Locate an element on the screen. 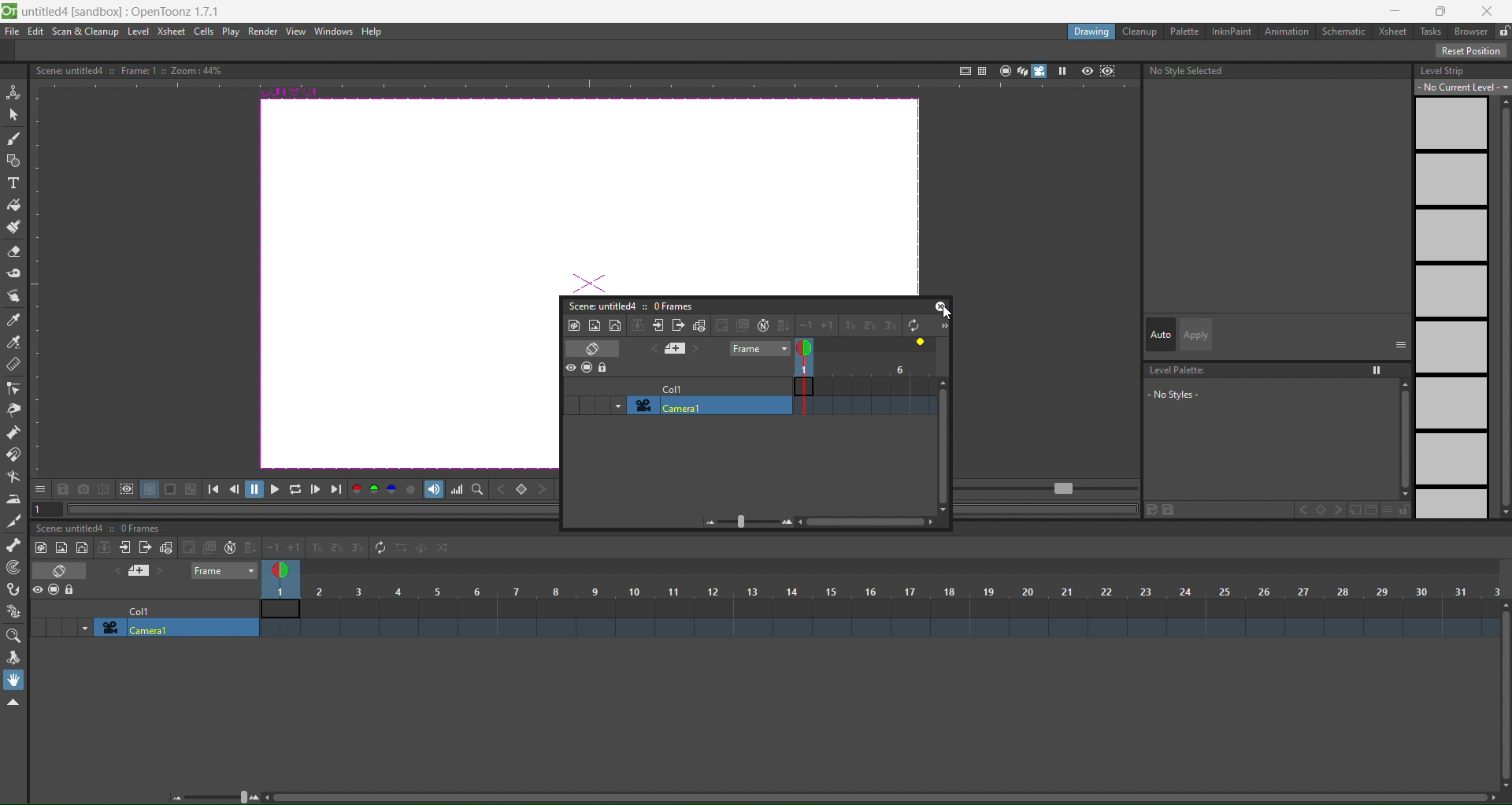  xsheet is located at coordinates (1395, 32).